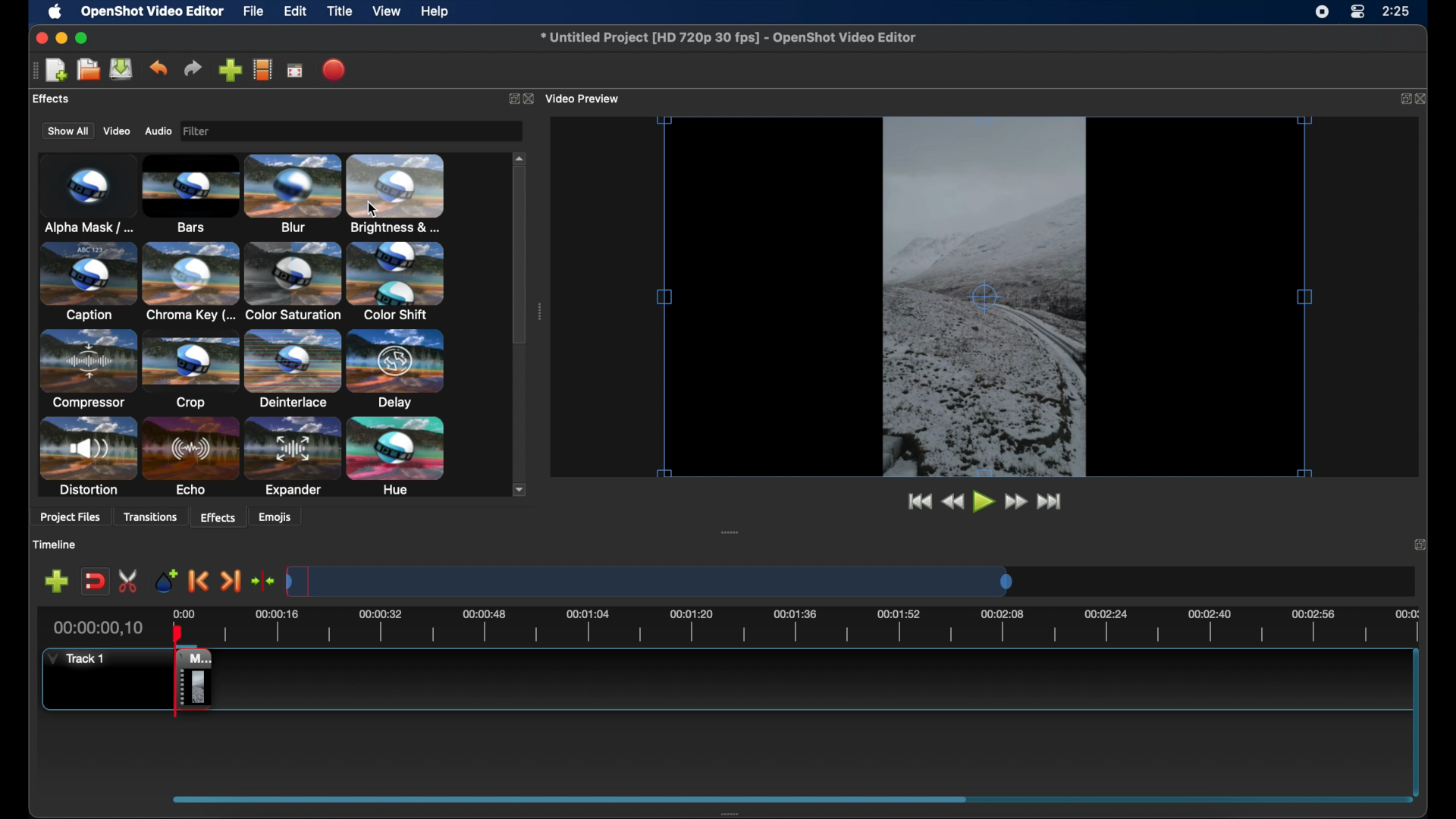 The width and height of the screenshot is (1456, 819). I want to click on image, so click(200, 131).